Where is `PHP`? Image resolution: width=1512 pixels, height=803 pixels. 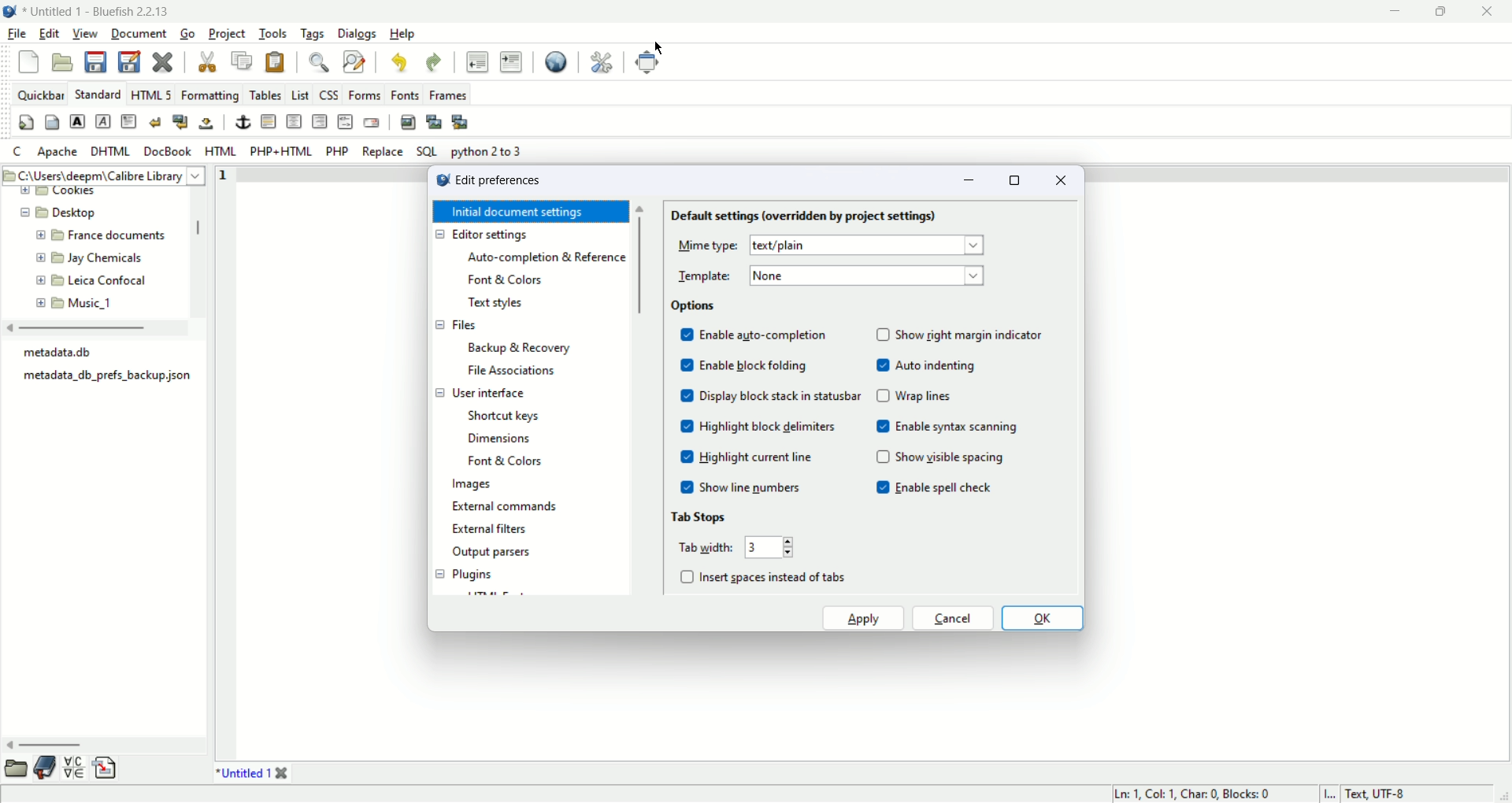
PHP is located at coordinates (339, 151).